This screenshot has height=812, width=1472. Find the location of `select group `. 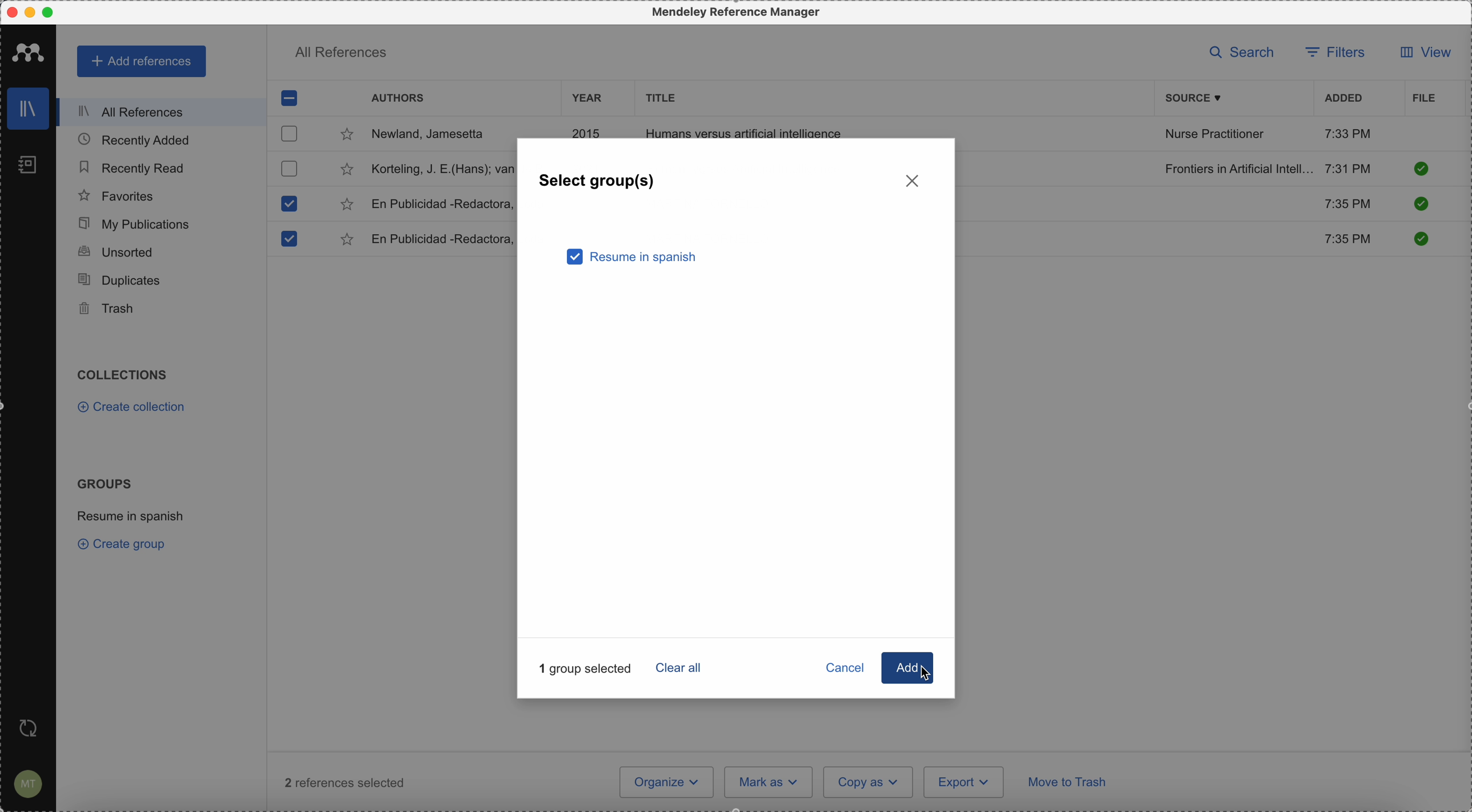

select group  is located at coordinates (599, 182).